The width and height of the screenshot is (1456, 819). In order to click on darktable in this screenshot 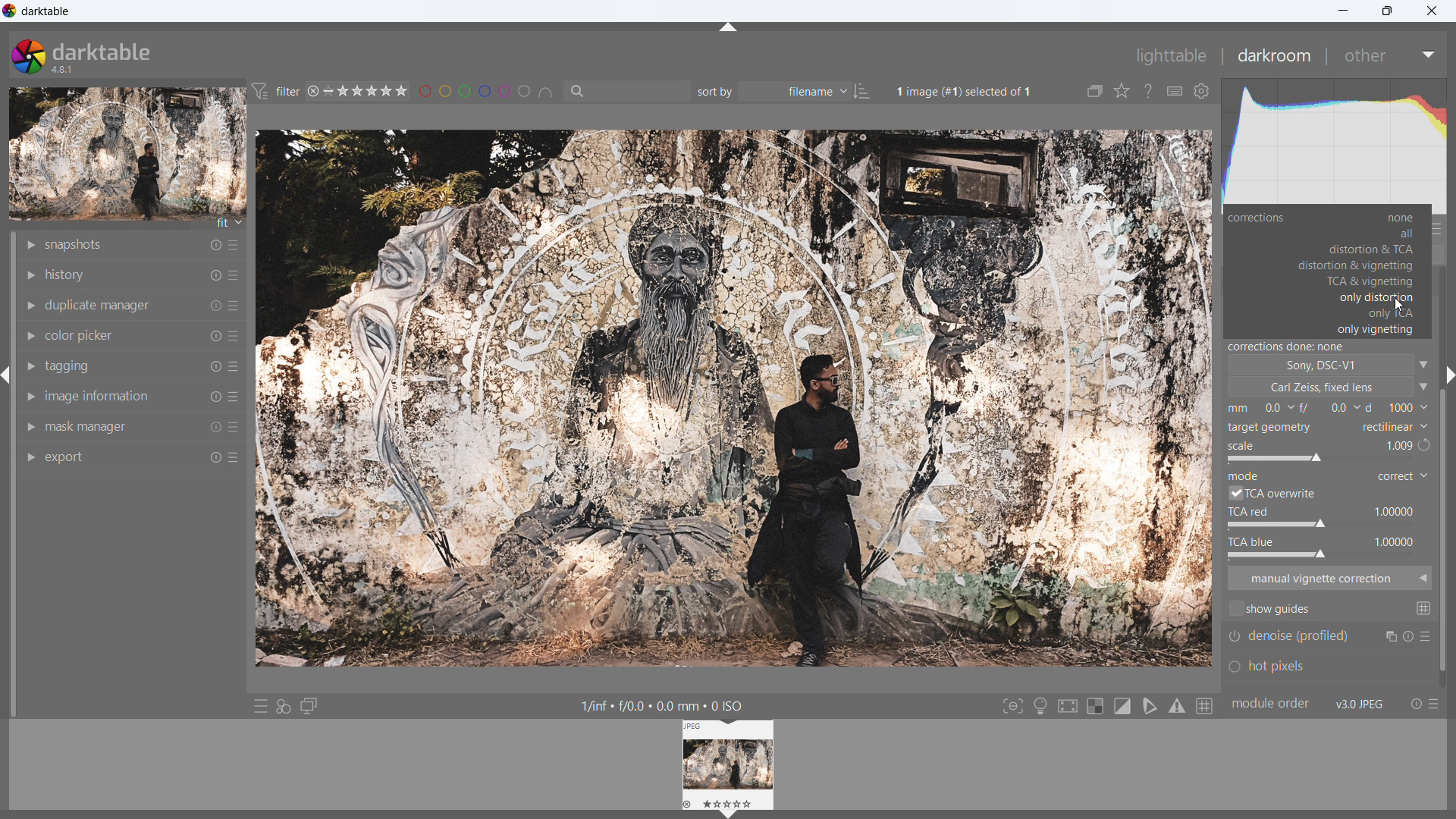, I will do `click(103, 51)`.